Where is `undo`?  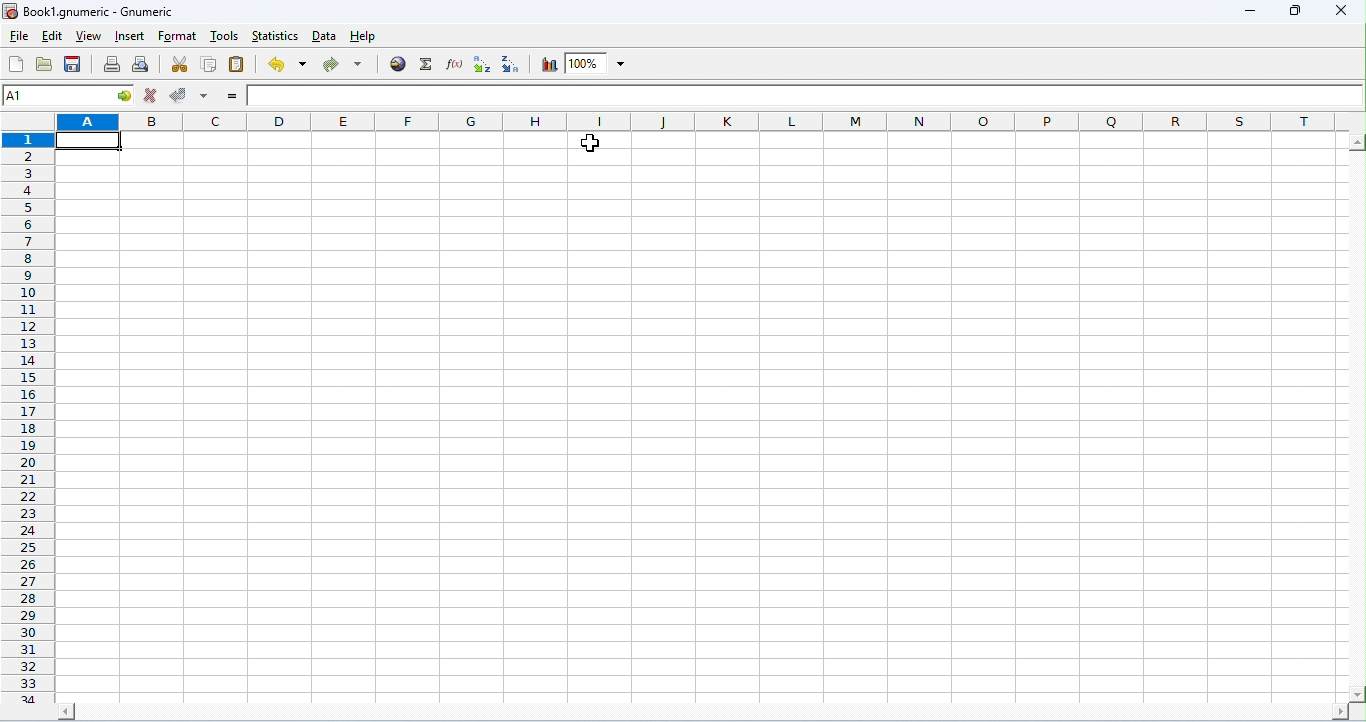
undo is located at coordinates (287, 64).